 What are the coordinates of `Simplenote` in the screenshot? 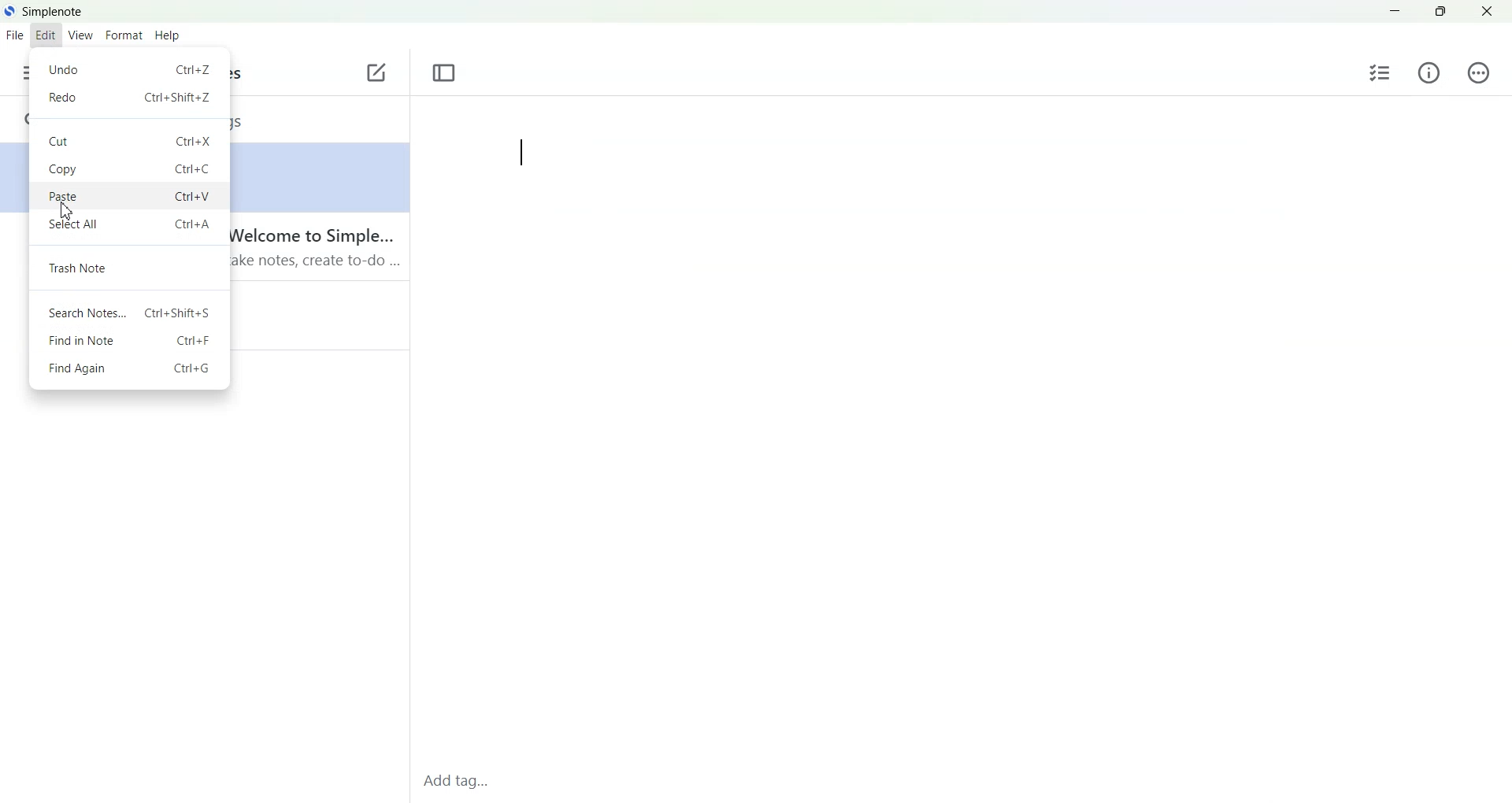 It's located at (44, 10).